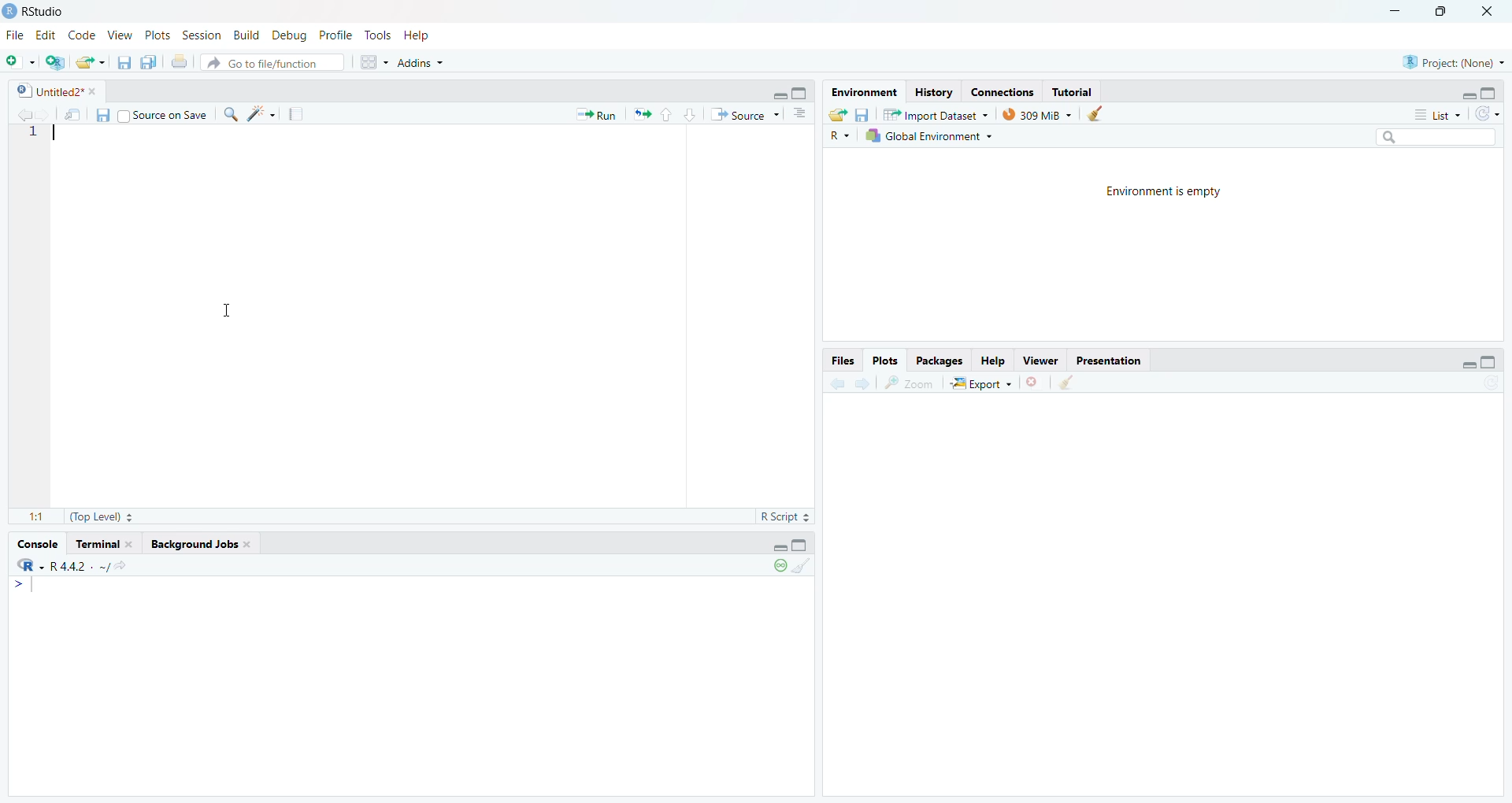  Describe the element at coordinates (264, 114) in the screenshot. I see `spark` at that location.